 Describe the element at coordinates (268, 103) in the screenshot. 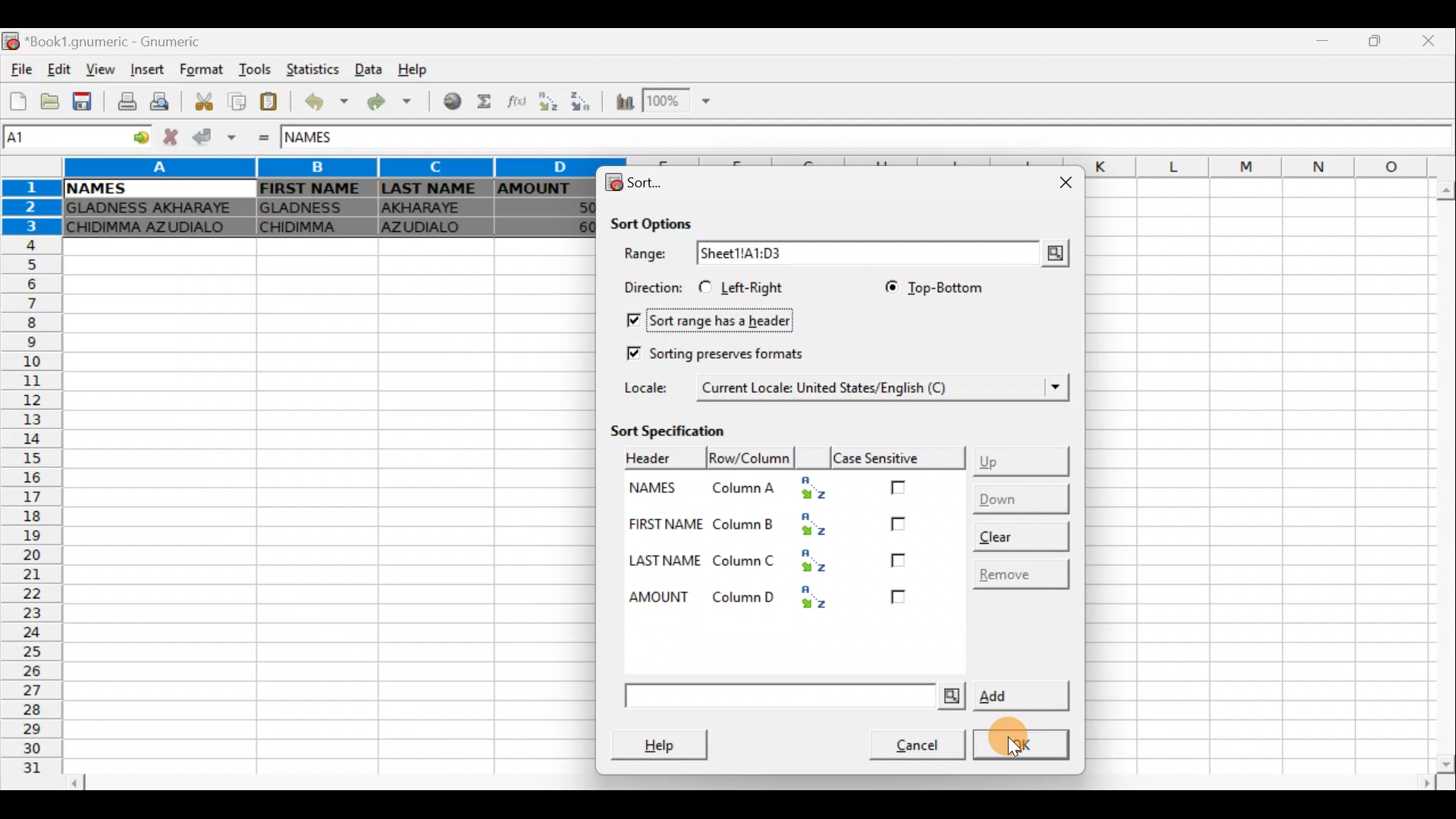

I see `Paste clipboard` at that location.